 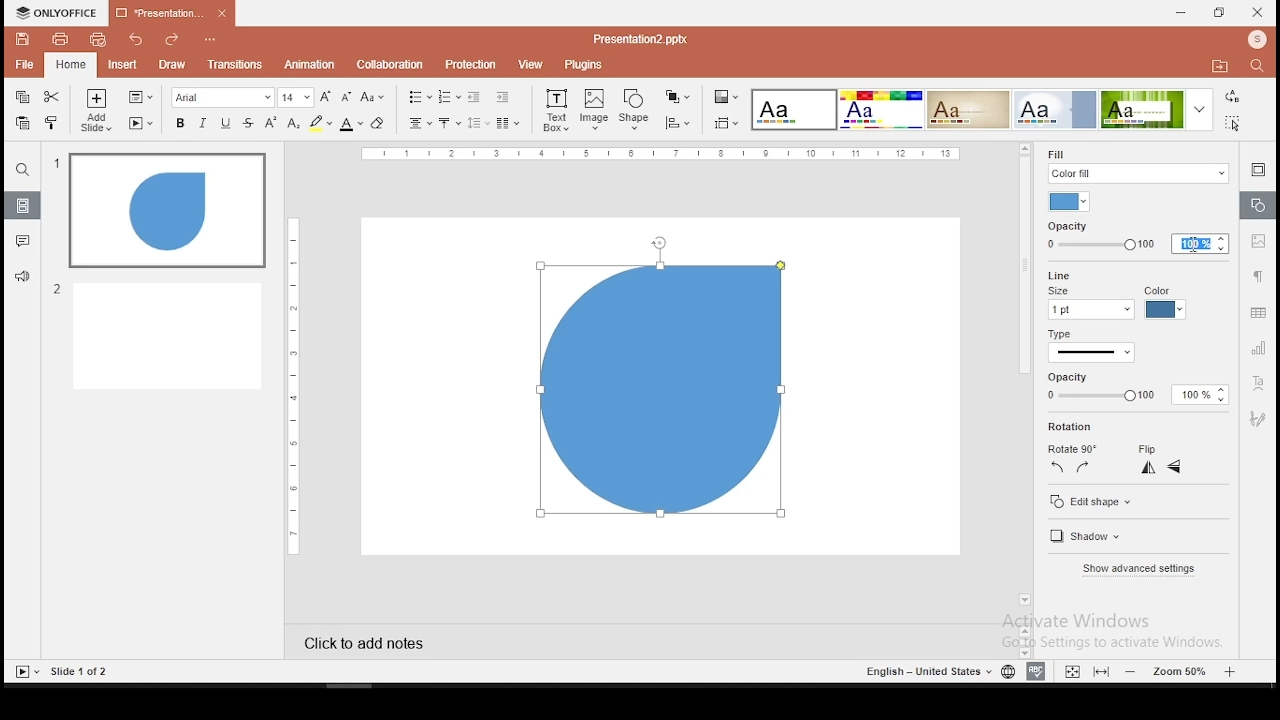 I want to click on image settings, so click(x=1260, y=243).